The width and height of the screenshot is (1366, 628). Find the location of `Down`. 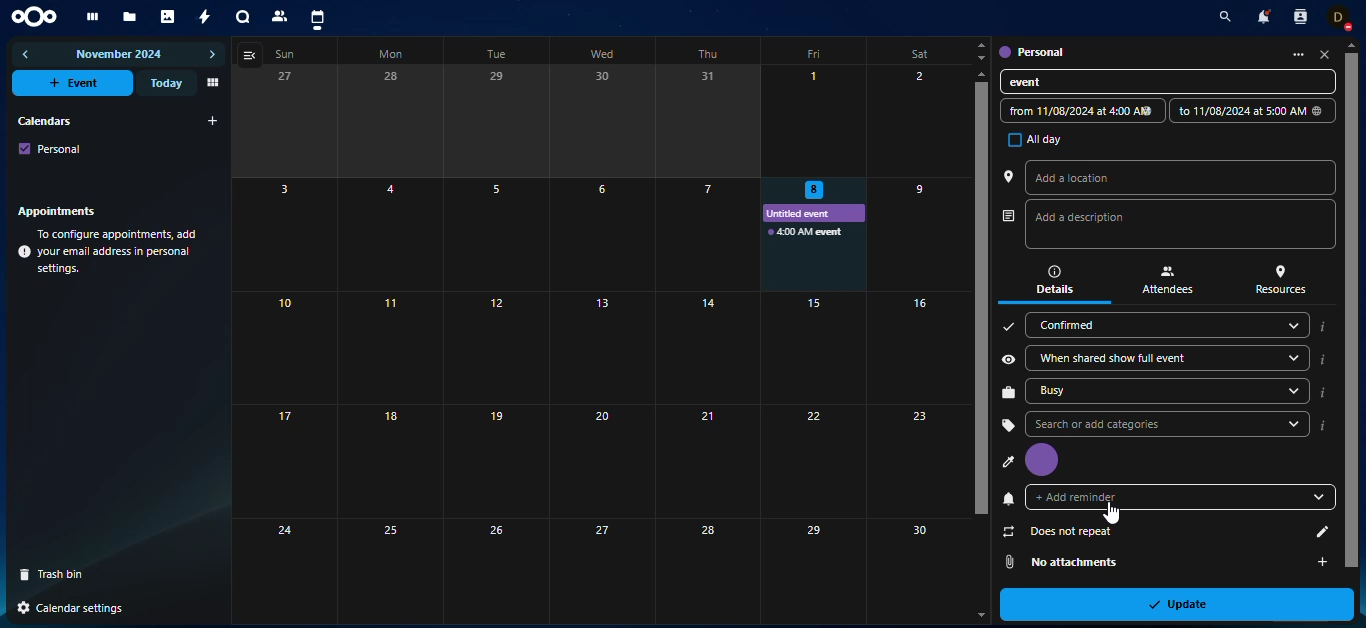

Down is located at coordinates (980, 58).